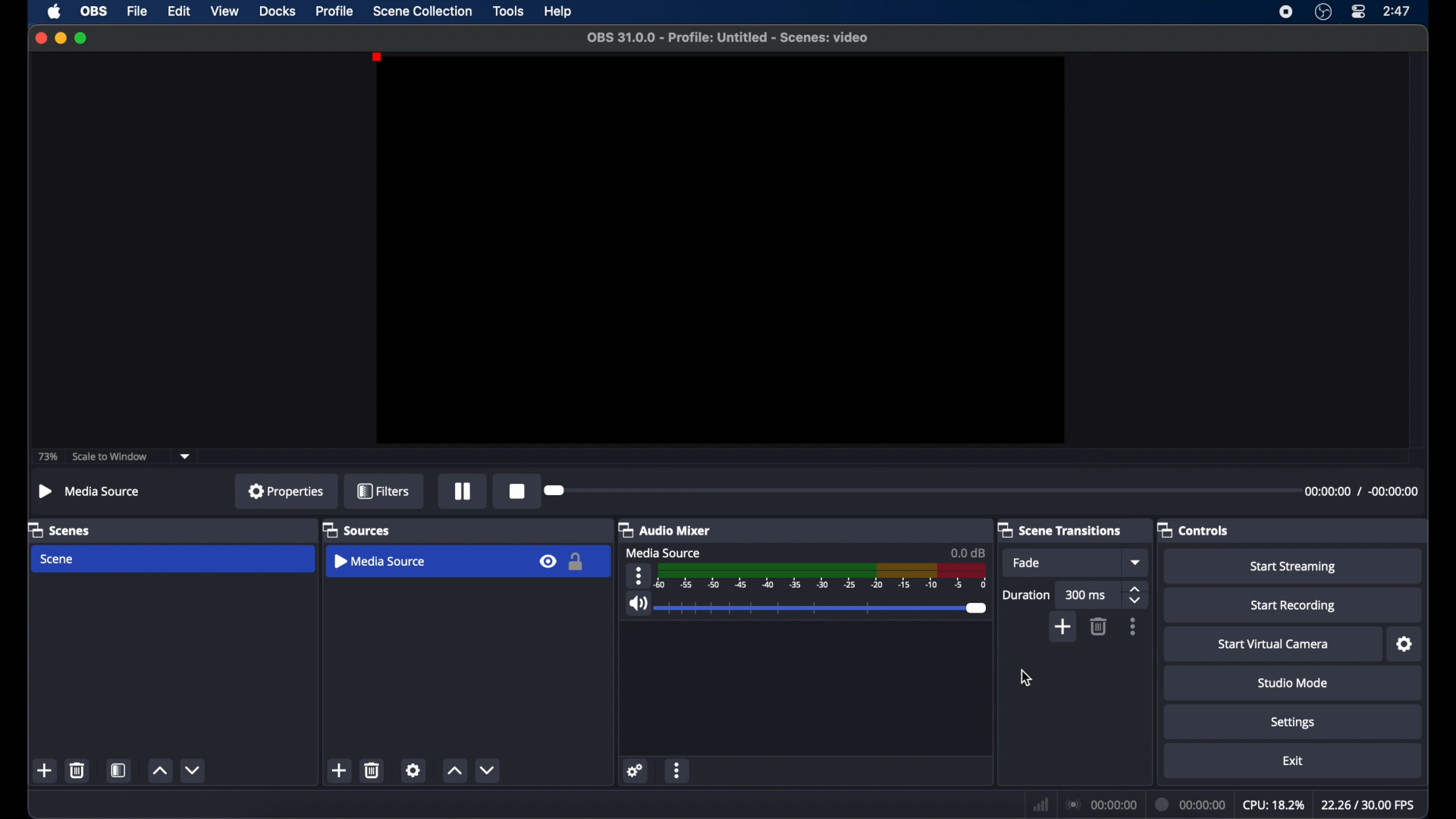 This screenshot has height=819, width=1456. What do you see at coordinates (1064, 626) in the screenshot?
I see `add` at bounding box center [1064, 626].